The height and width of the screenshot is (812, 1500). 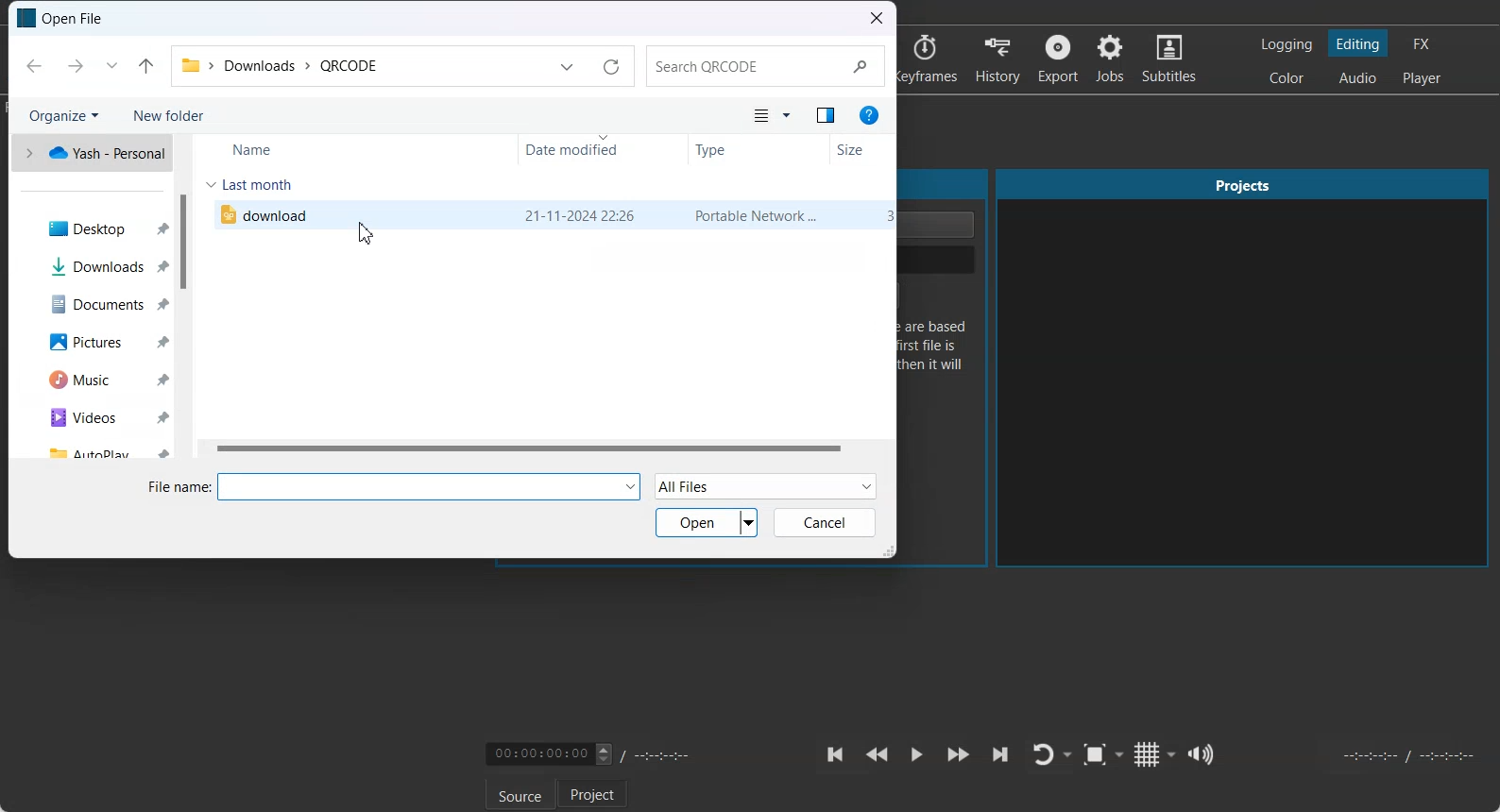 What do you see at coordinates (91, 264) in the screenshot?
I see `Downloads` at bounding box center [91, 264].